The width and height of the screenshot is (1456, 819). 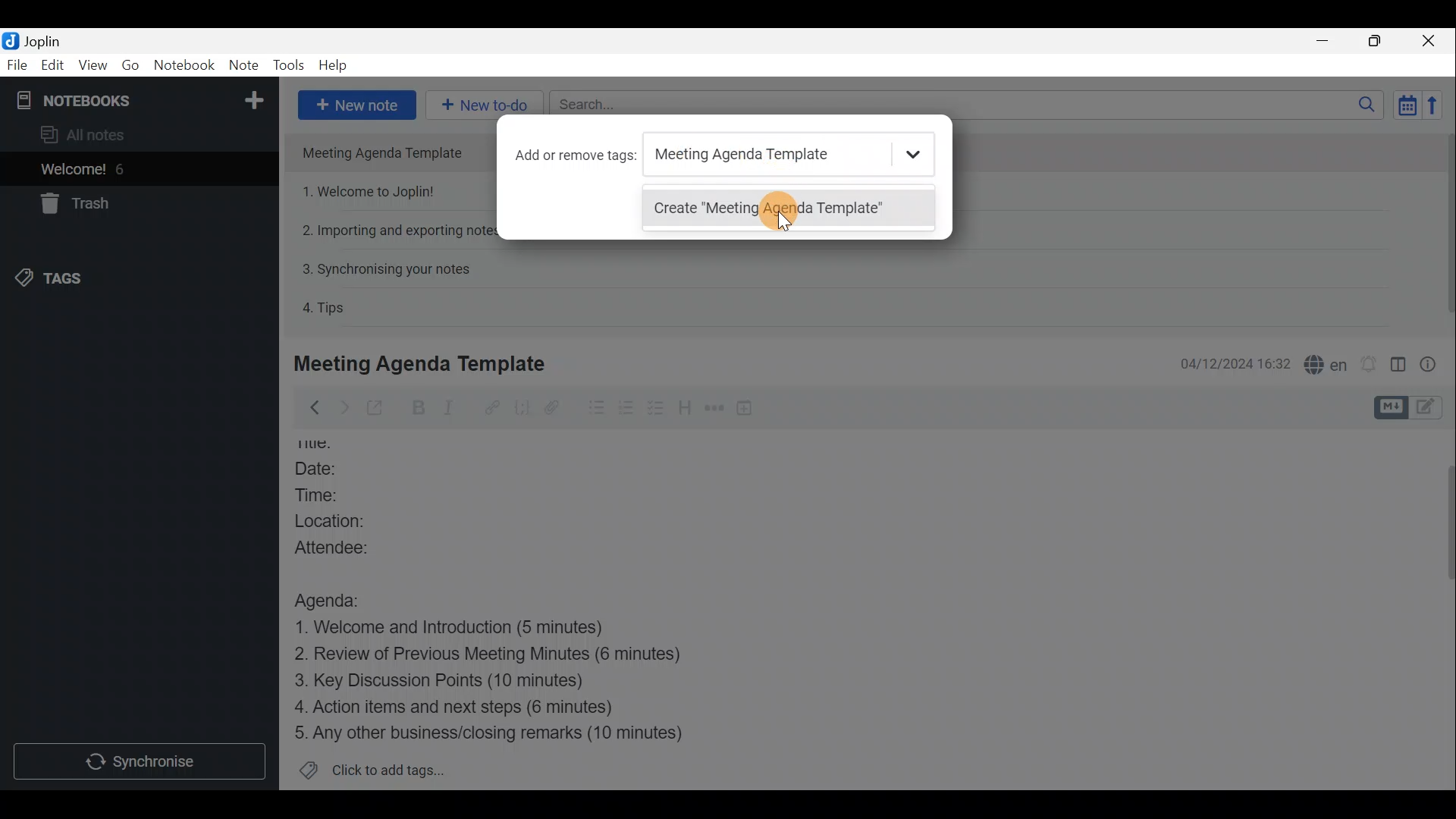 What do you see at coordinates (242, 62) in the screenshot?
I see `Note` at bounding box center [242, 62].